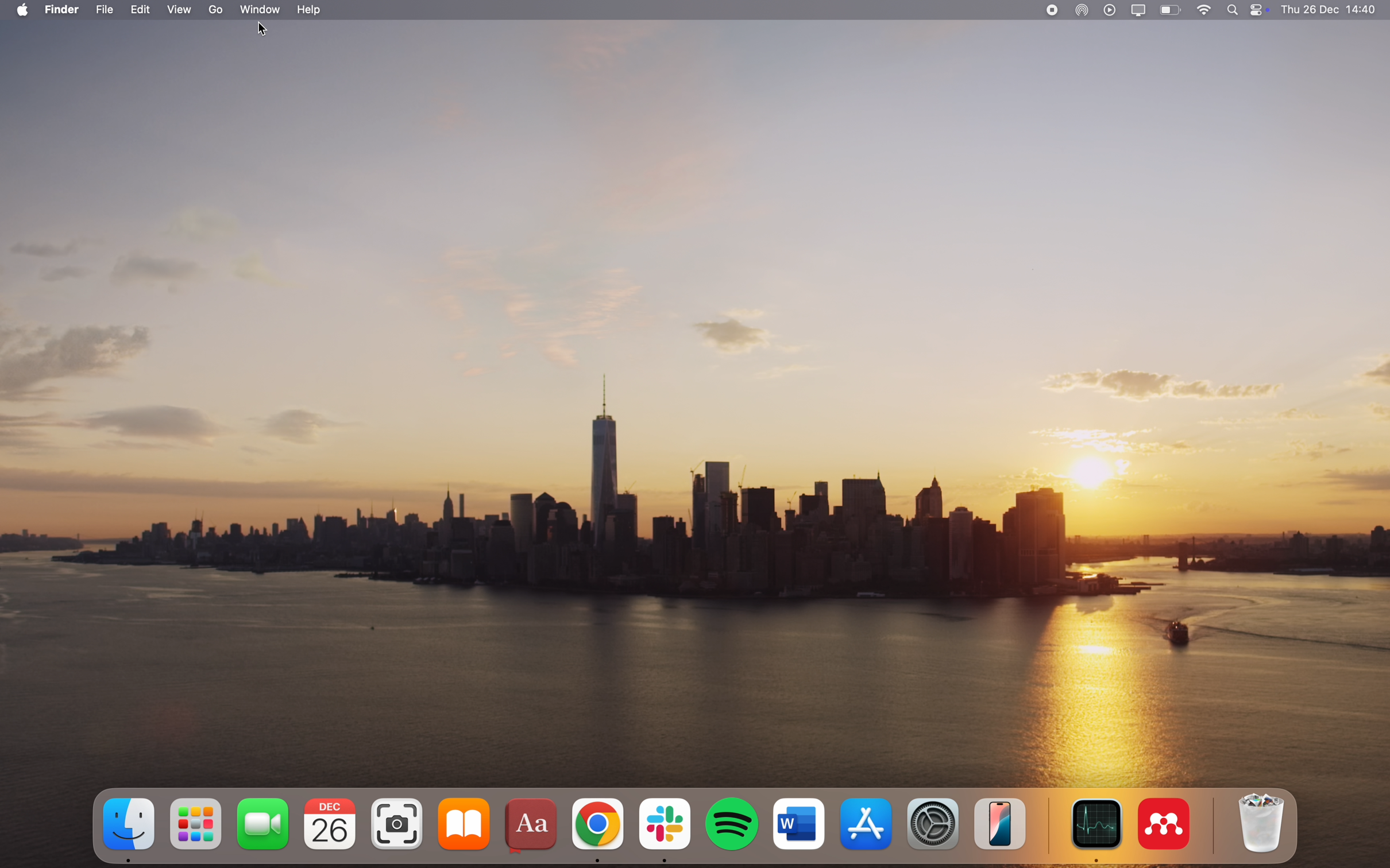 Image resolution: width=1390 pixels, height=868 pixels. I want to click on word, so click(798, 823).